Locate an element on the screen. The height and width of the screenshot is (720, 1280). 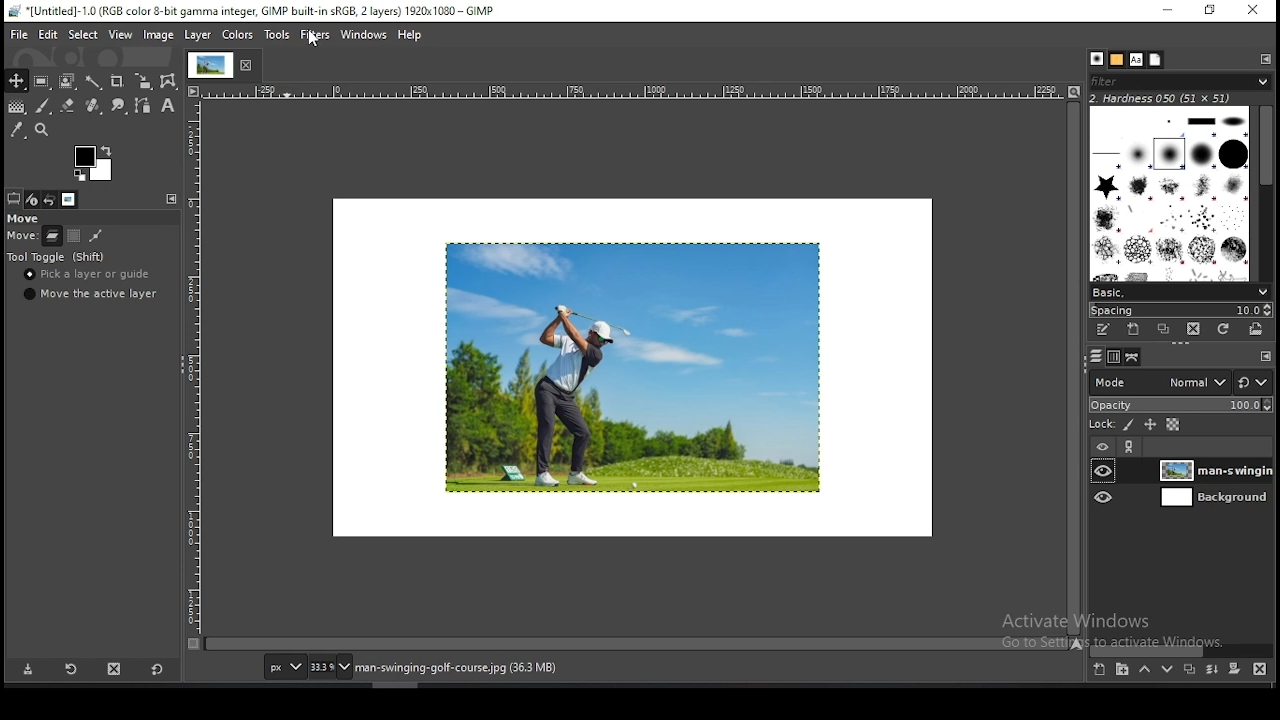
reset is located at coordinates (158, 668).